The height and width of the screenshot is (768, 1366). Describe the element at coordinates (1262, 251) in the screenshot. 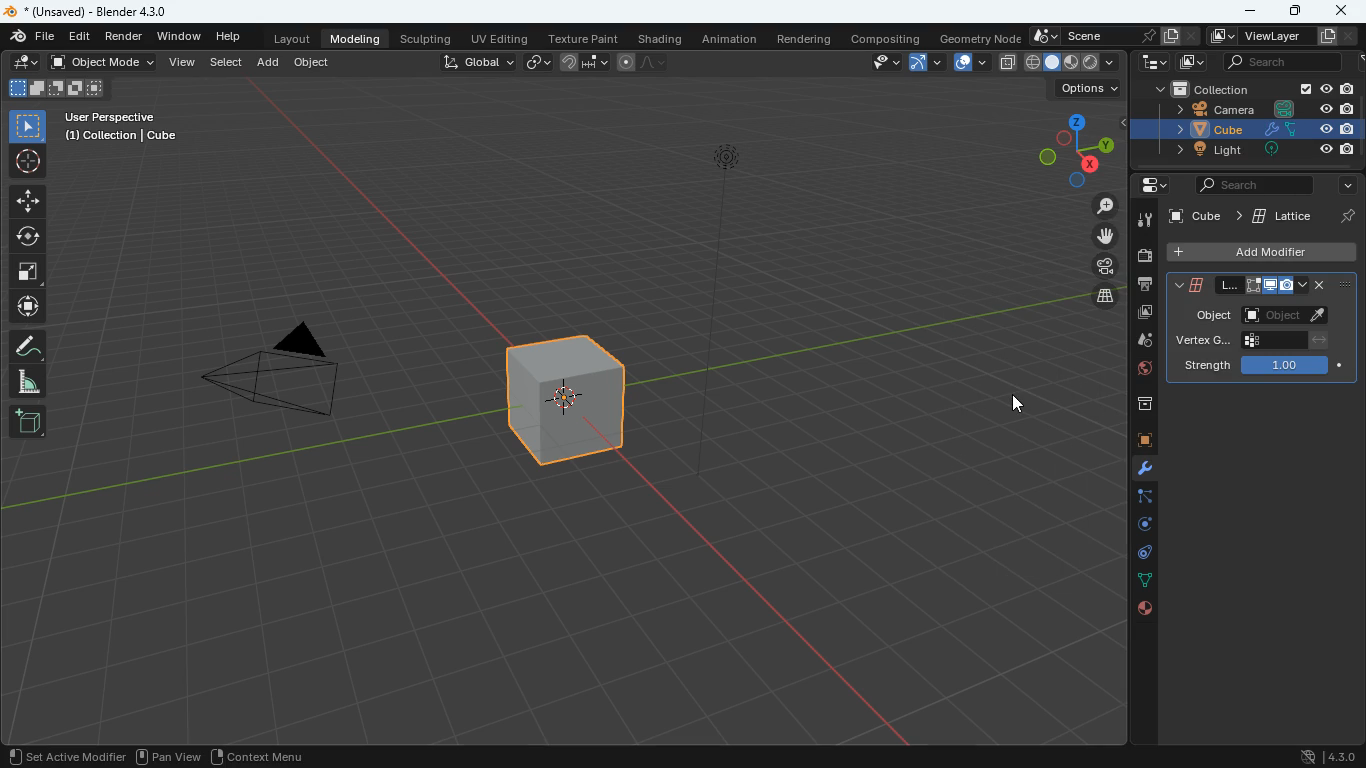

I see `add modifier` at that location.